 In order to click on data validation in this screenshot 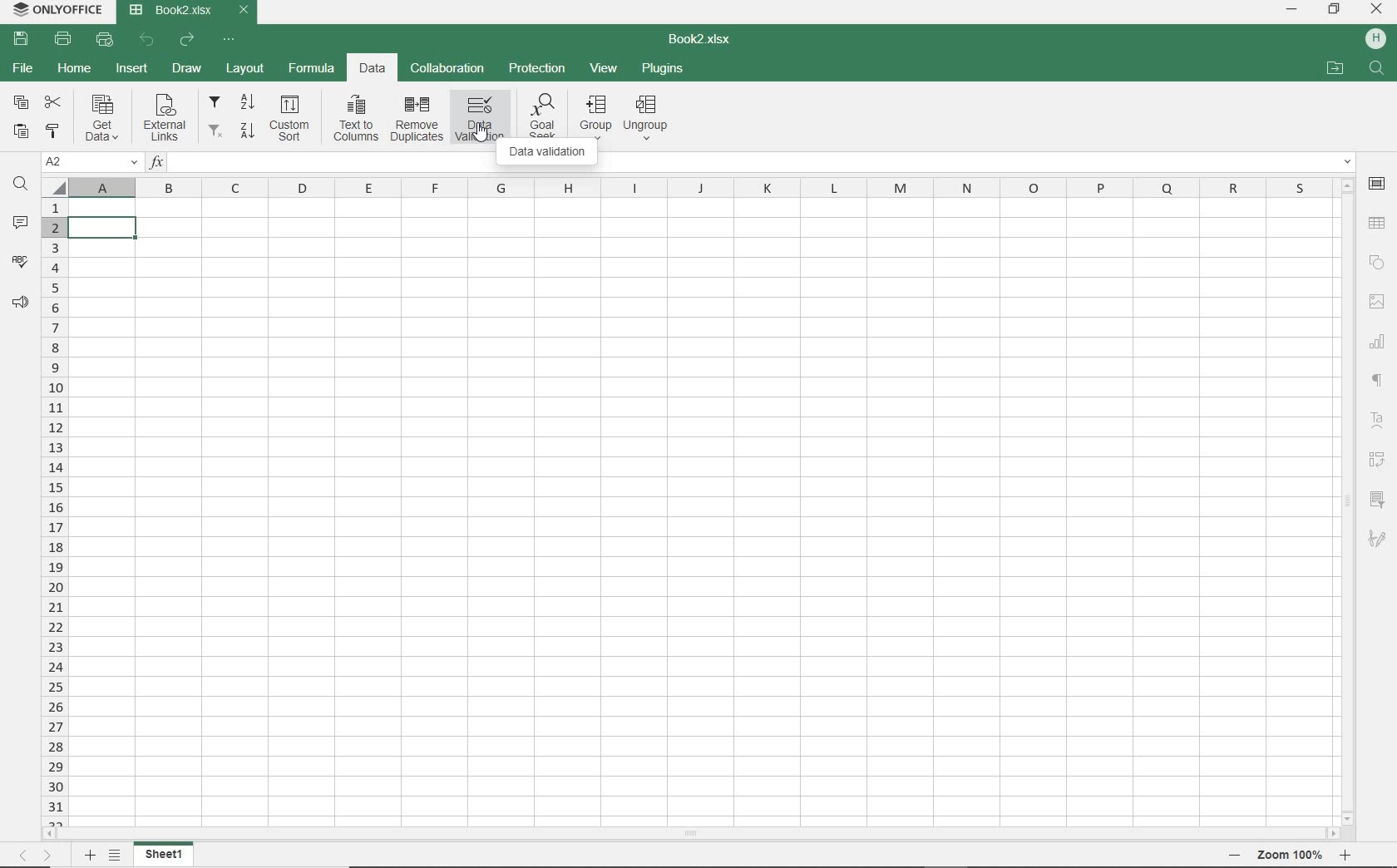, I will do `click(479, 118)`.